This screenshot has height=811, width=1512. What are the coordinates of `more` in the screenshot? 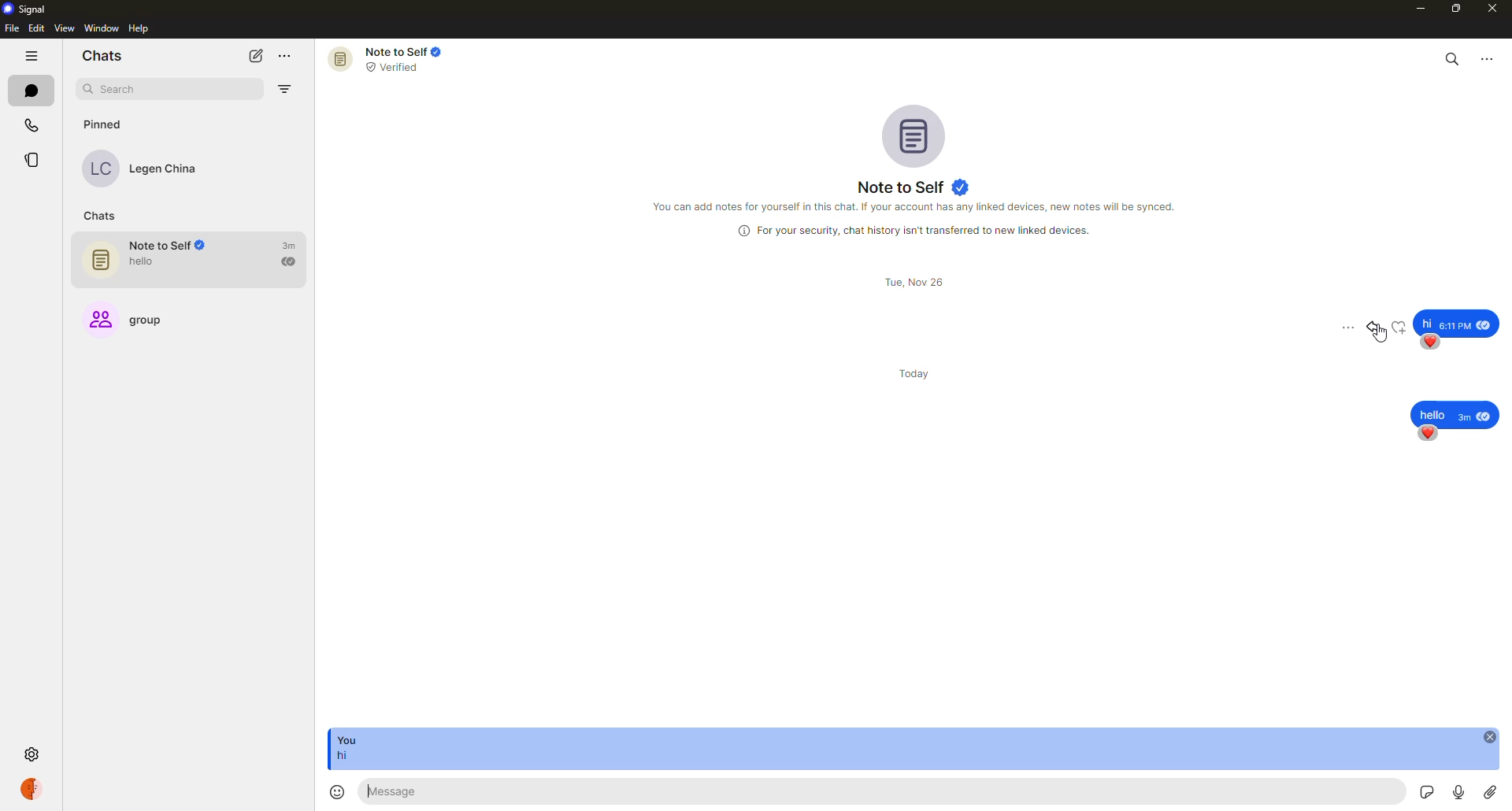 It's located at (1488, 58).